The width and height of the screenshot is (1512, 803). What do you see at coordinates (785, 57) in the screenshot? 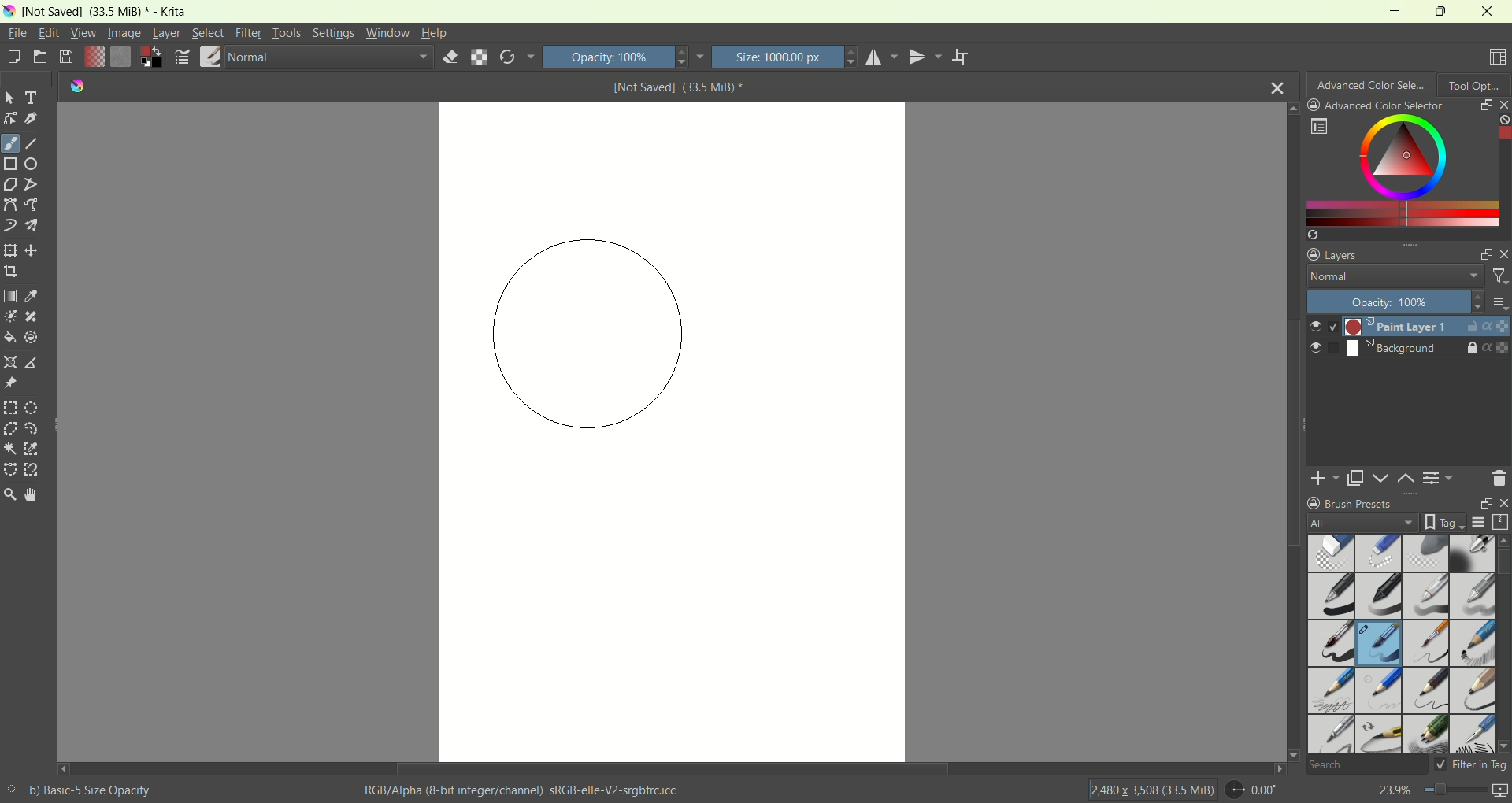
I see `Size: 1000.00 px` at bounding box center [785, 57].